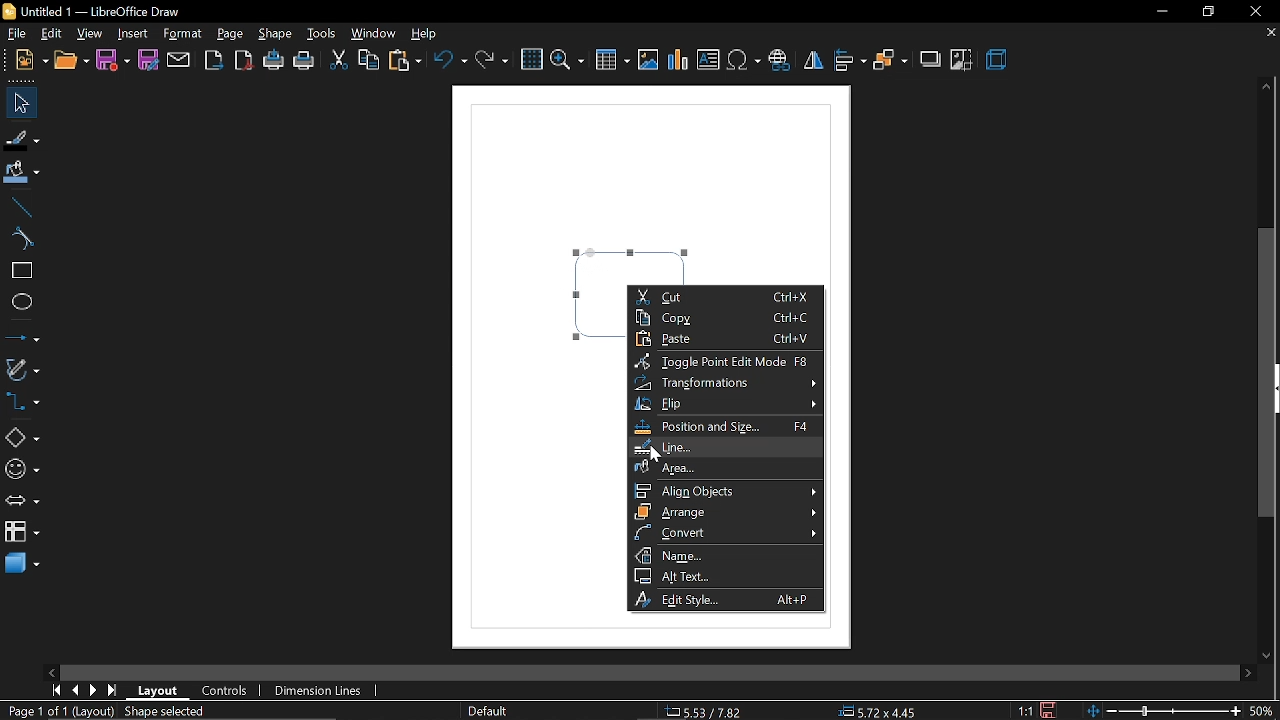 This screenshot has width=1280, height=720. What do you see at coordinates (655, 455) in the screenshot?
I see `cursor` at bounding box center [655, 455].